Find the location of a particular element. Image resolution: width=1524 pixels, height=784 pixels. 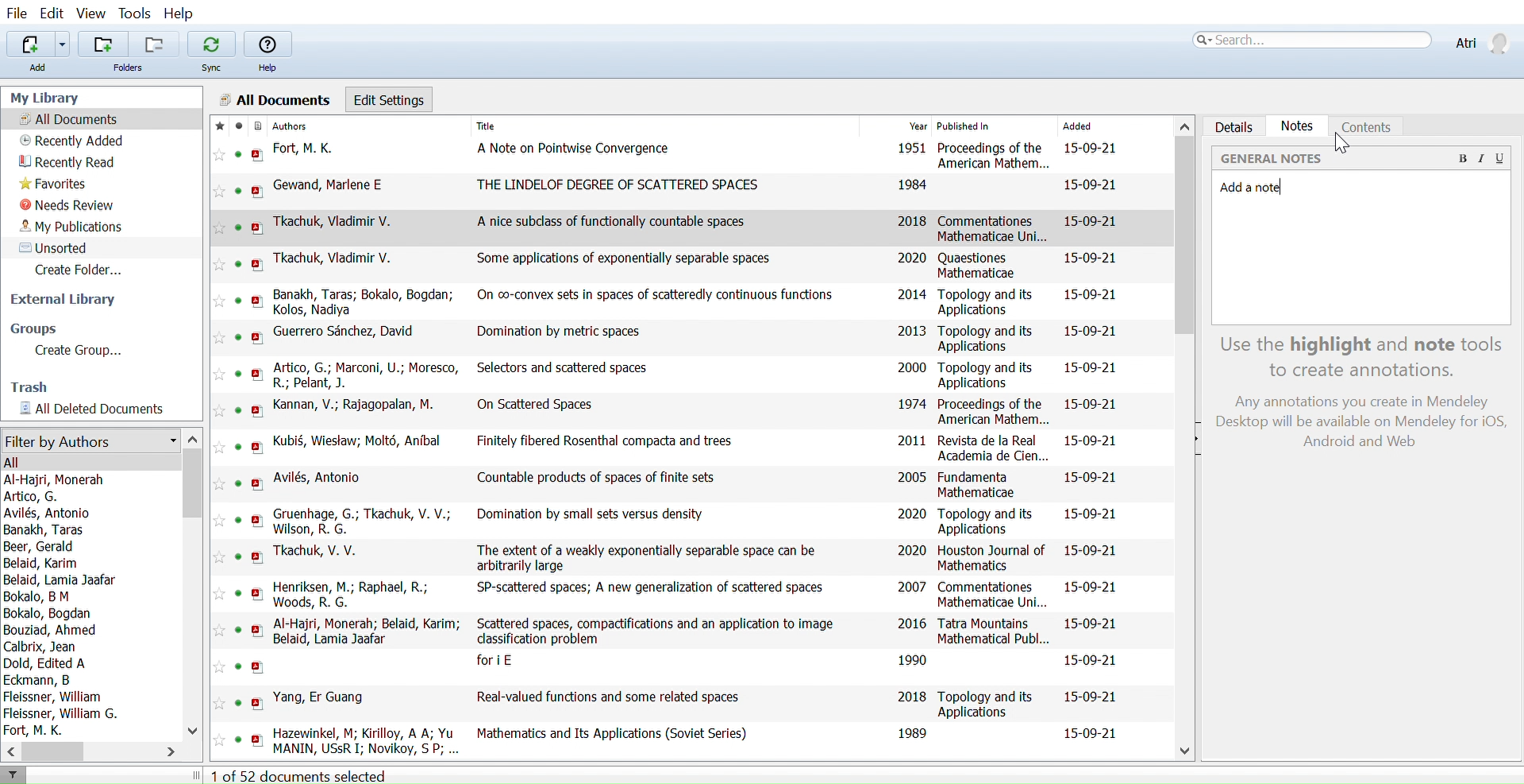

The extent of a weakly exponentially separable space can be arbitrarily large is located at coordinates (649, 557).